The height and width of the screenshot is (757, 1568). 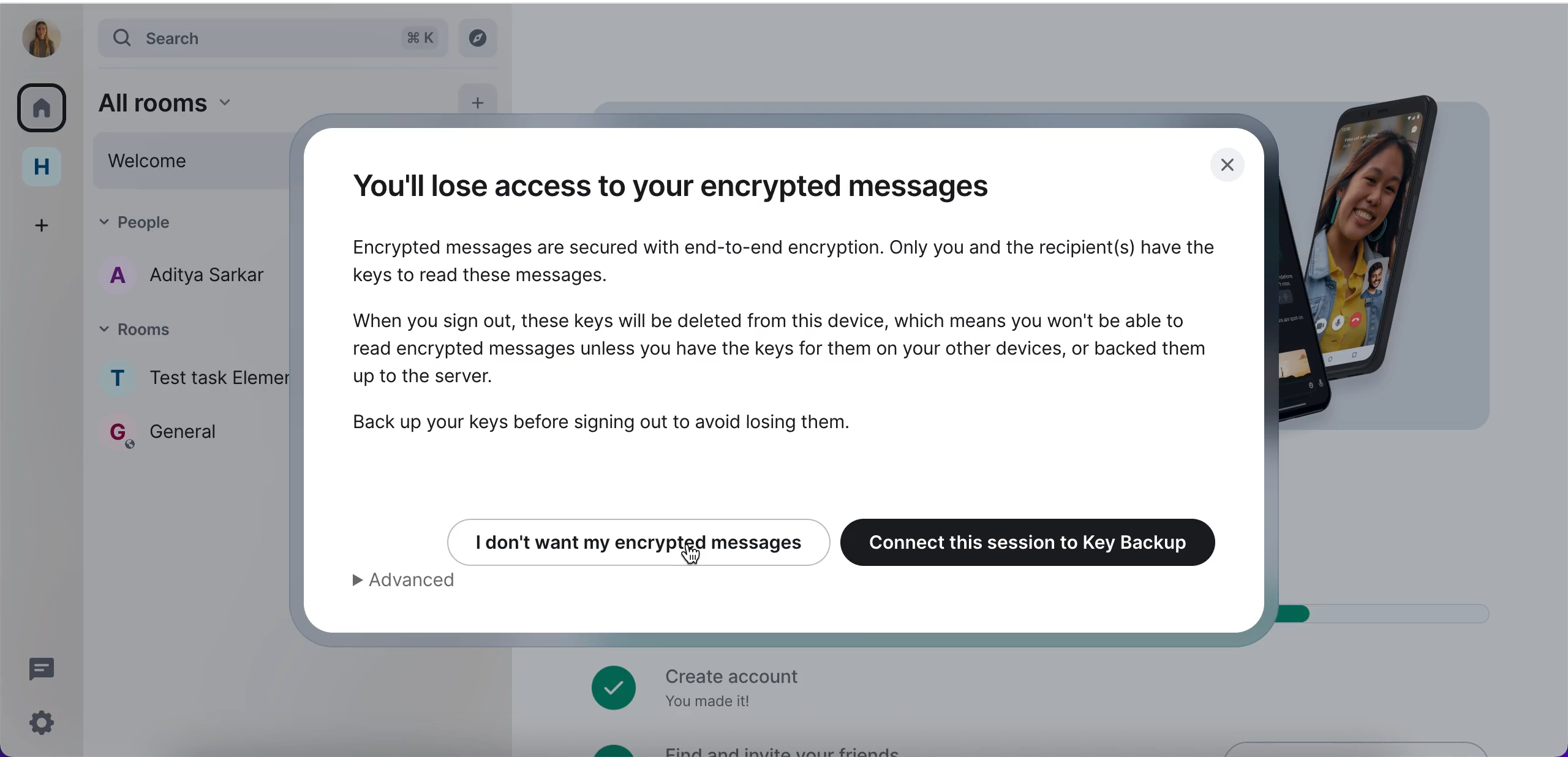 What do you see at coordinates (43, 669) in the screenshot?
I see `threads` at bounding box center [43, 669].